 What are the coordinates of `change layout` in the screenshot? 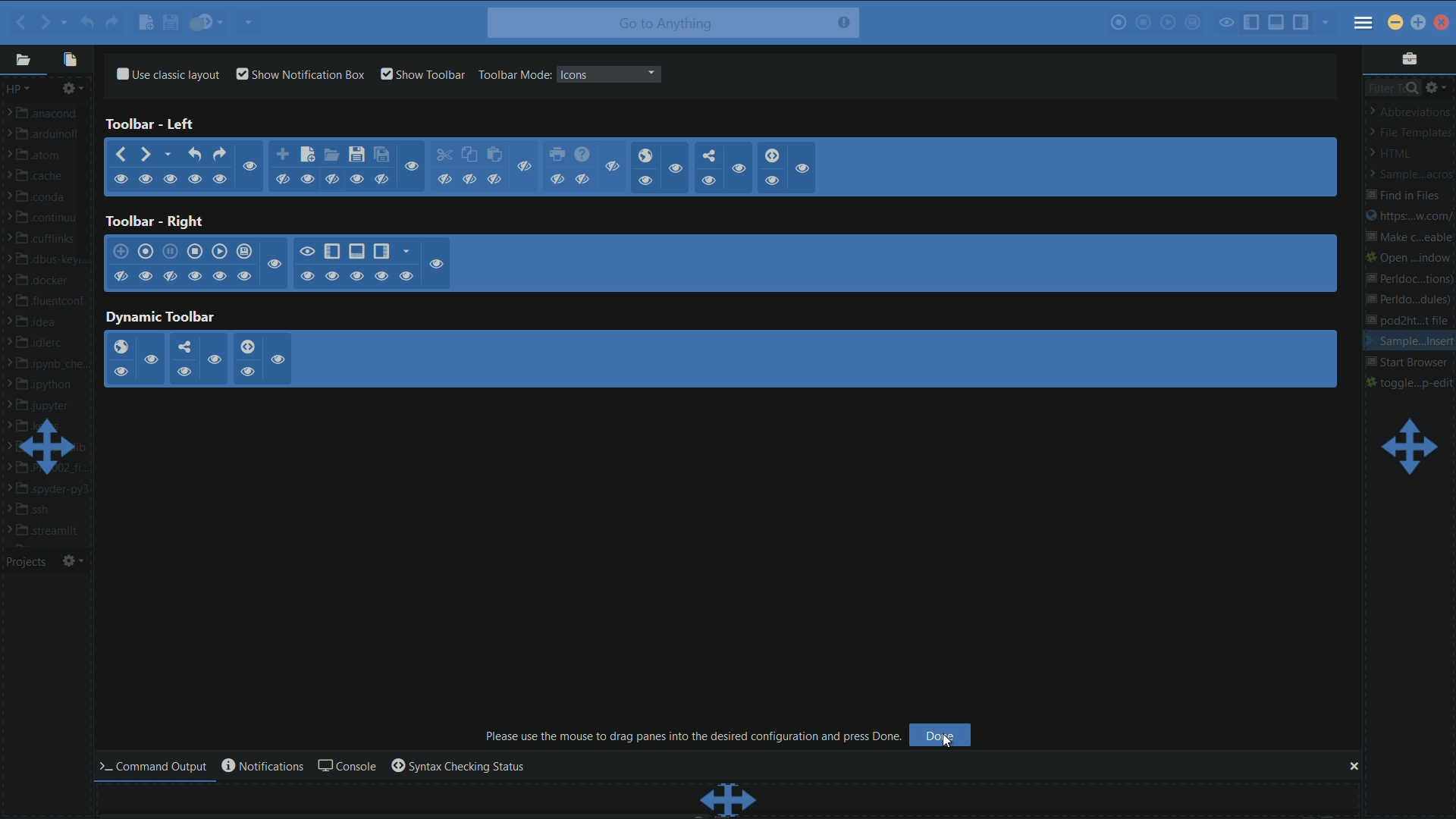 It's located at (1407, 447).